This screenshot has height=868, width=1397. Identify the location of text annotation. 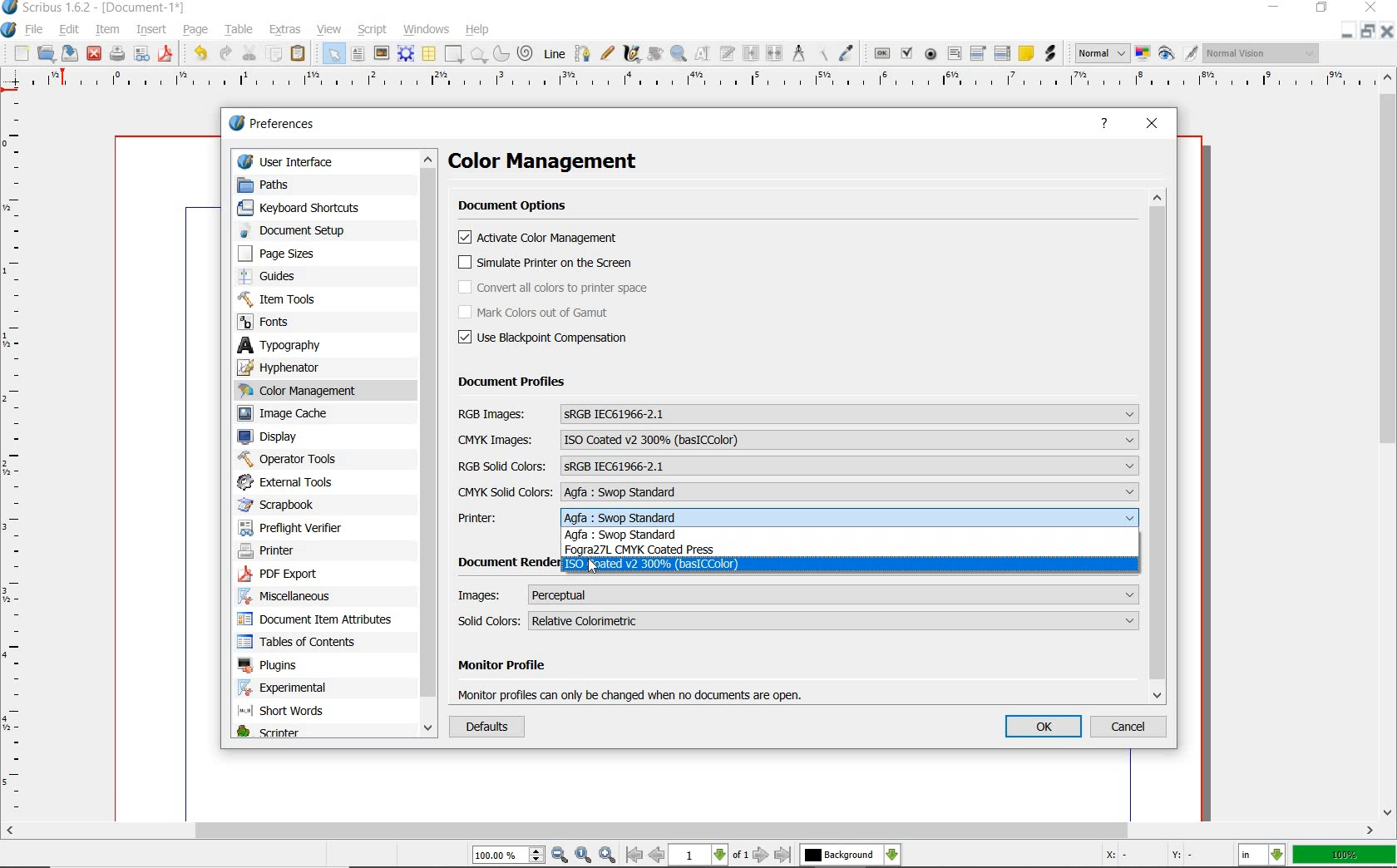
(1025, 54).